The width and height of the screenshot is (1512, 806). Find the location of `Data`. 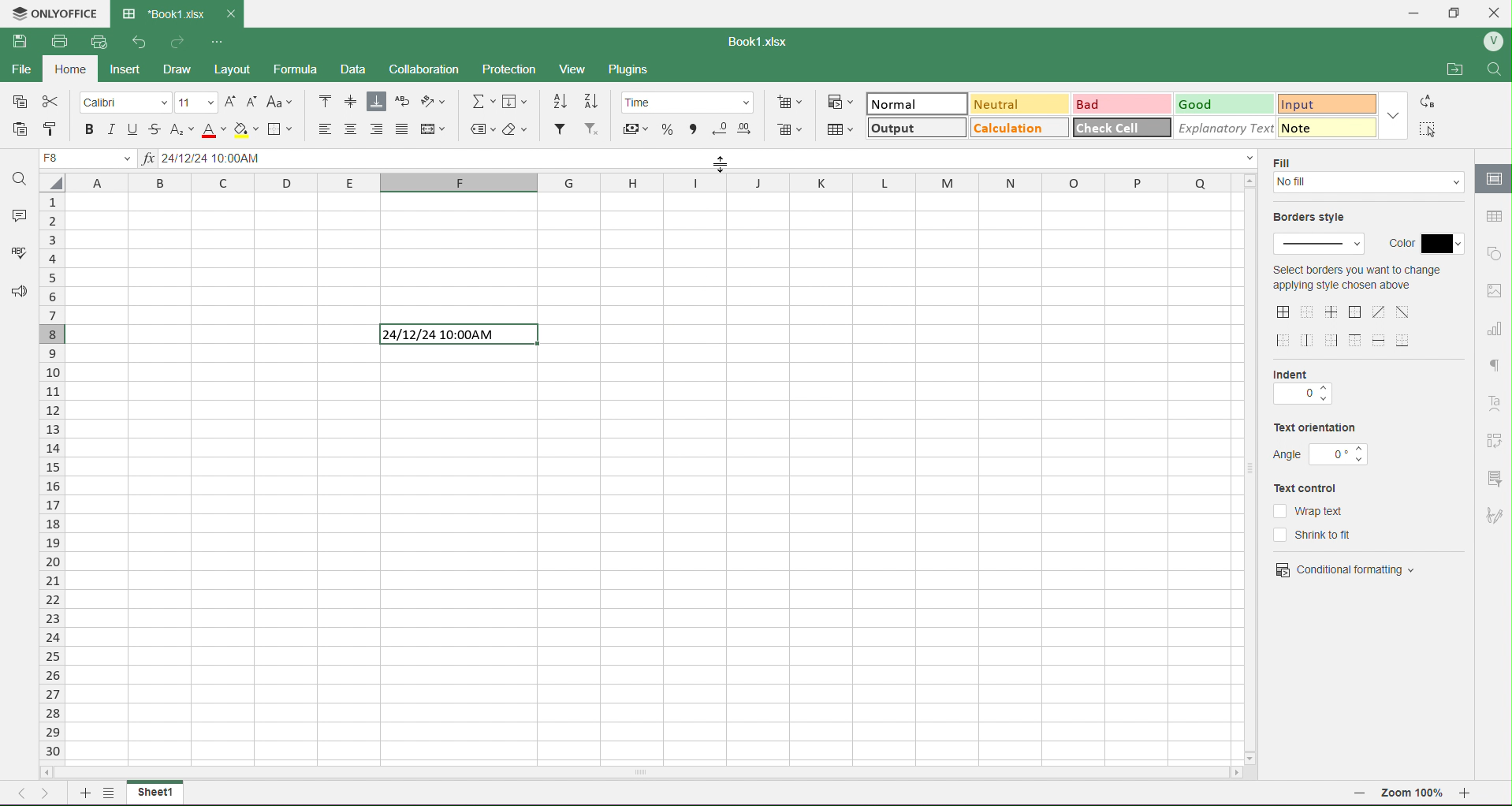

Data is located at coordinates (362, 69).